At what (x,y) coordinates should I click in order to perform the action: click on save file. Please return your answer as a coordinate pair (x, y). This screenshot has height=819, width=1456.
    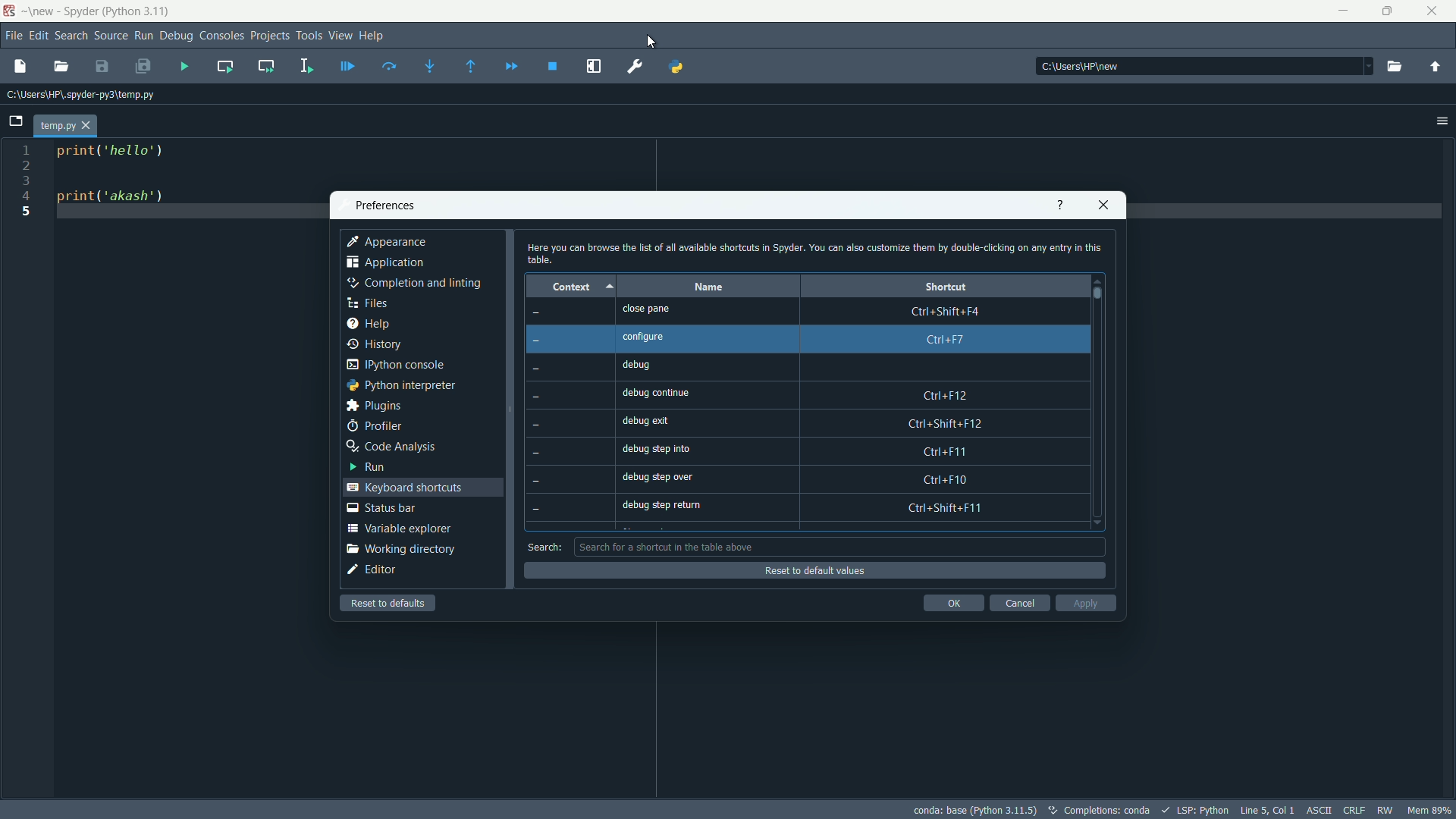
    Looking at the image, I should click on (102, 67).